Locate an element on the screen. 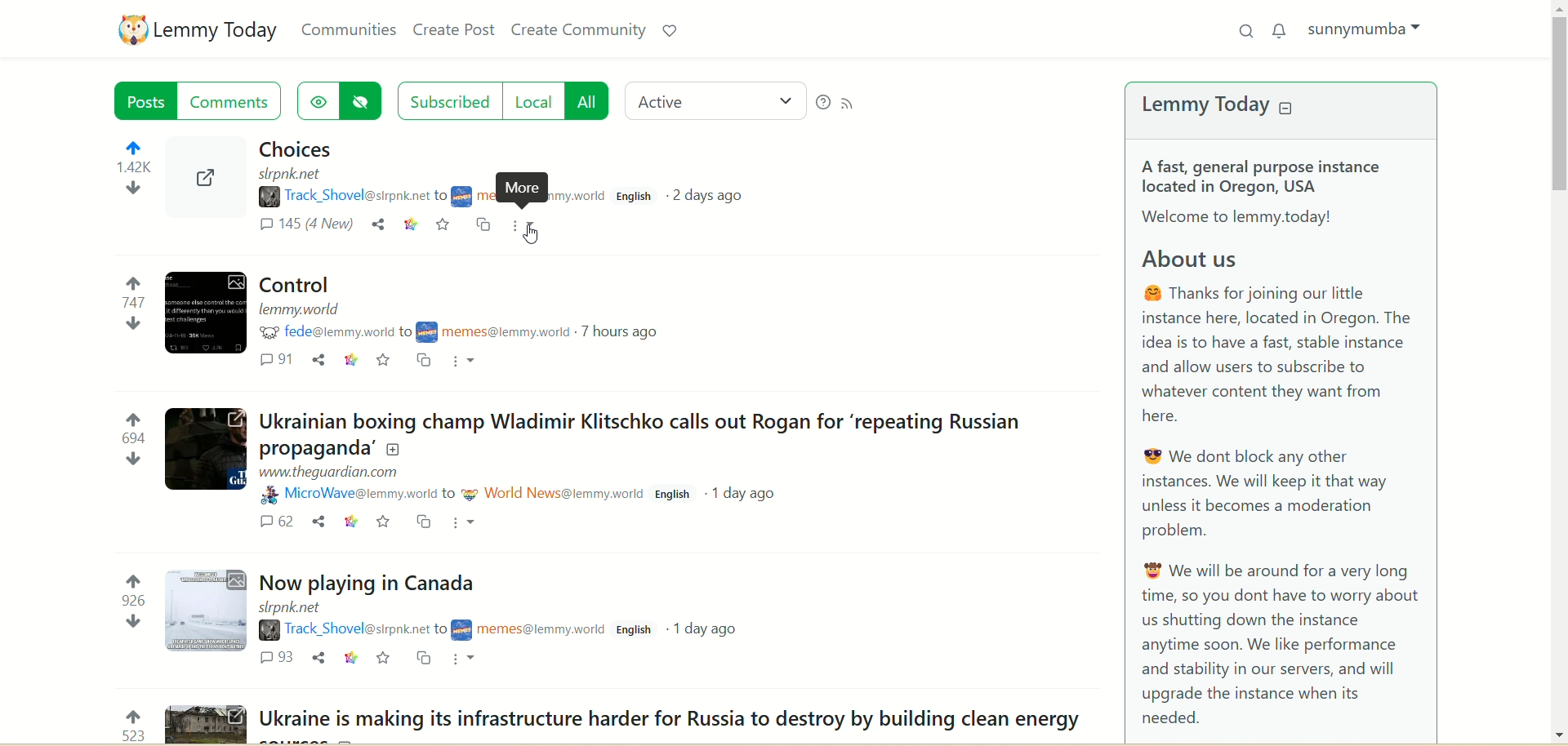  save is located at coordinates (445, 227).